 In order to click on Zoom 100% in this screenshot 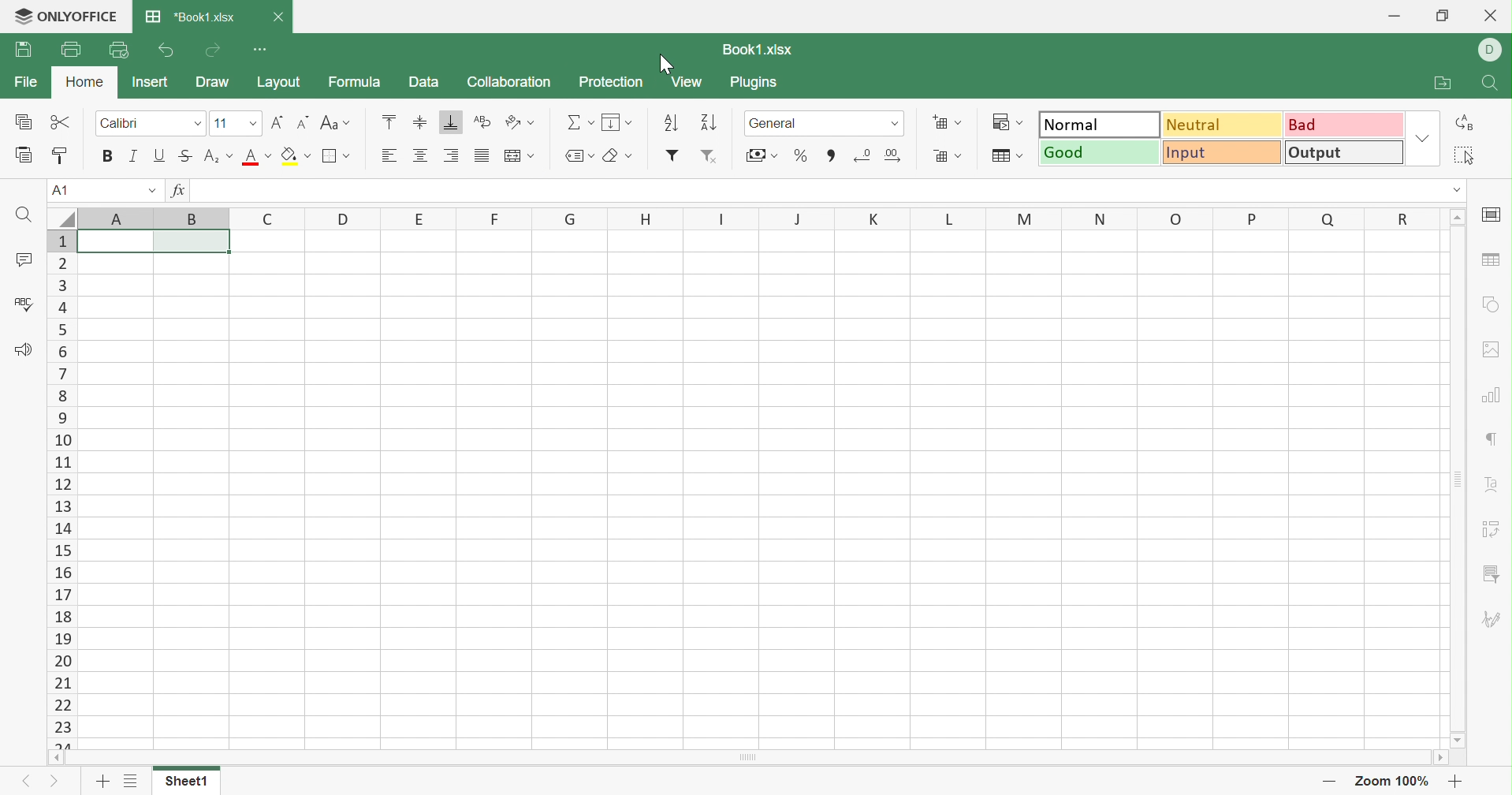, I will do `click(1396, 781)`.